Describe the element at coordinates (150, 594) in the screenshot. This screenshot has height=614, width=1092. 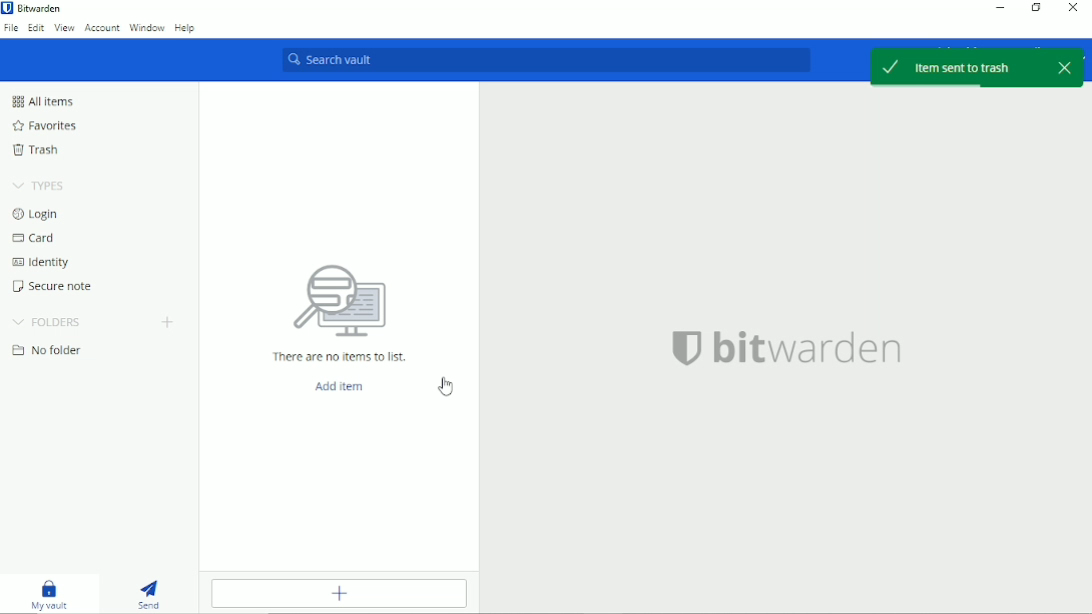
I see `Send` at that location.